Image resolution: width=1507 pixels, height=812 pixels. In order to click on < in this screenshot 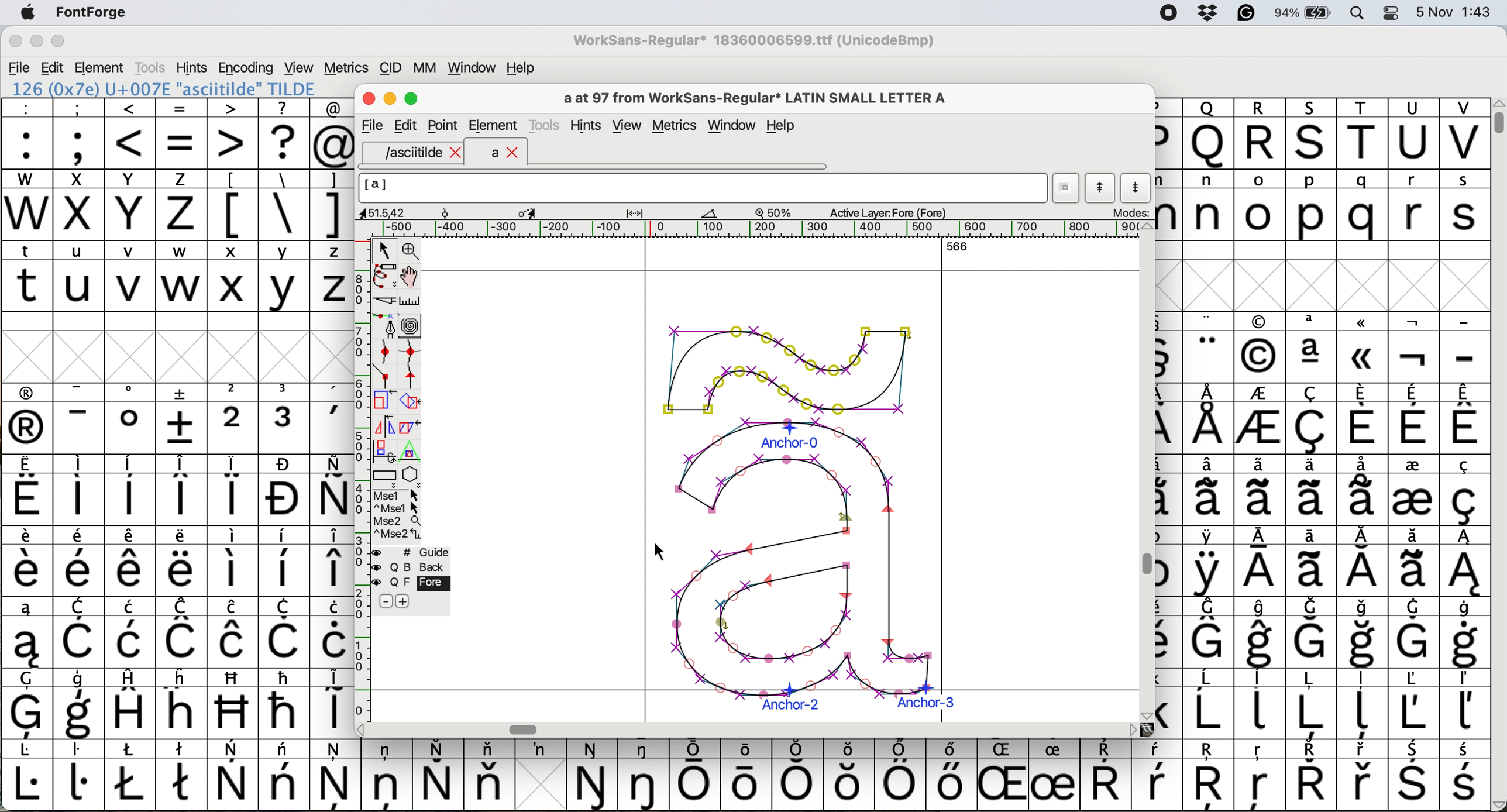, I will do `click(130, 133)`.